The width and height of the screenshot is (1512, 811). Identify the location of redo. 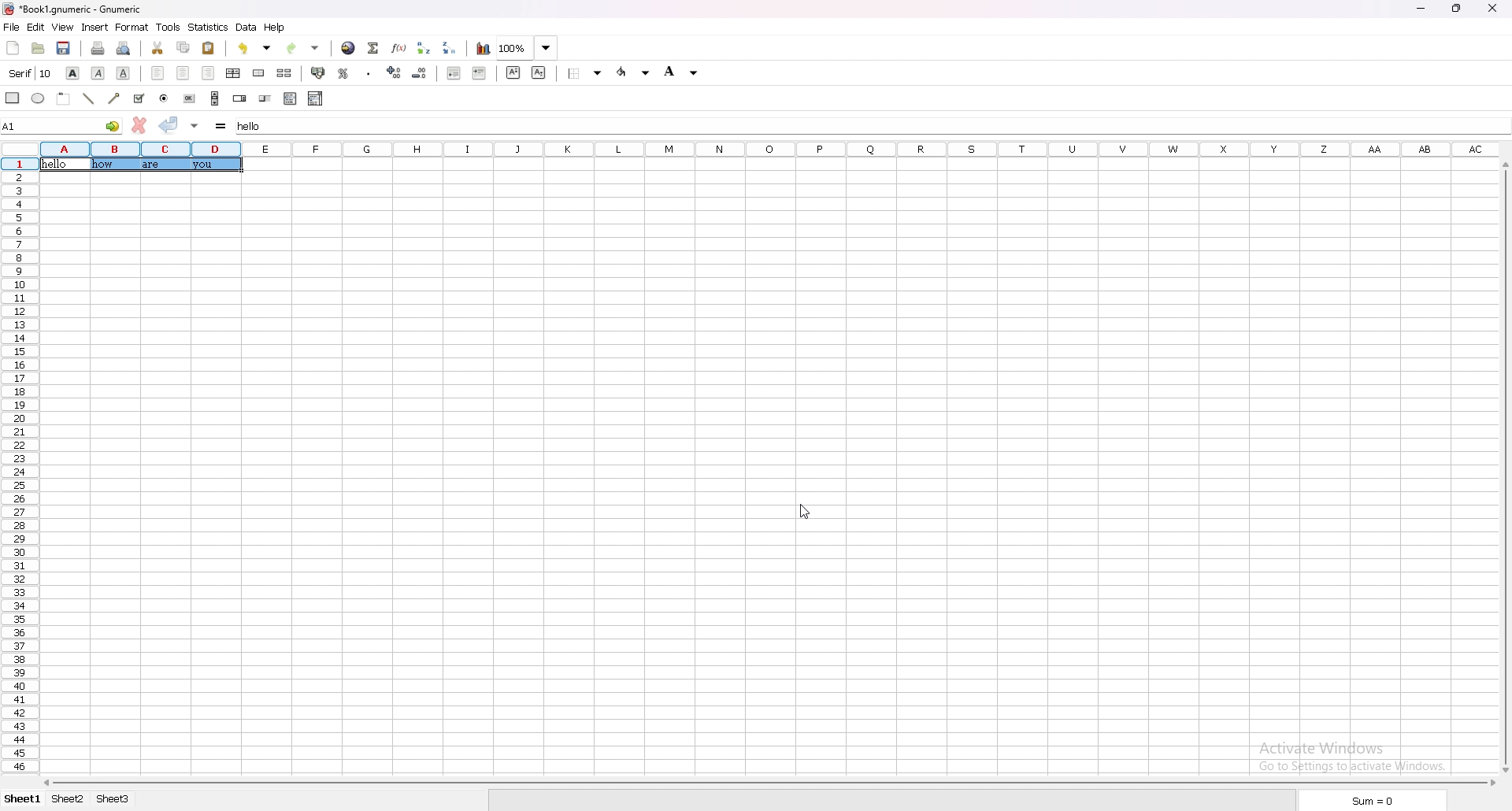
(304, 47).